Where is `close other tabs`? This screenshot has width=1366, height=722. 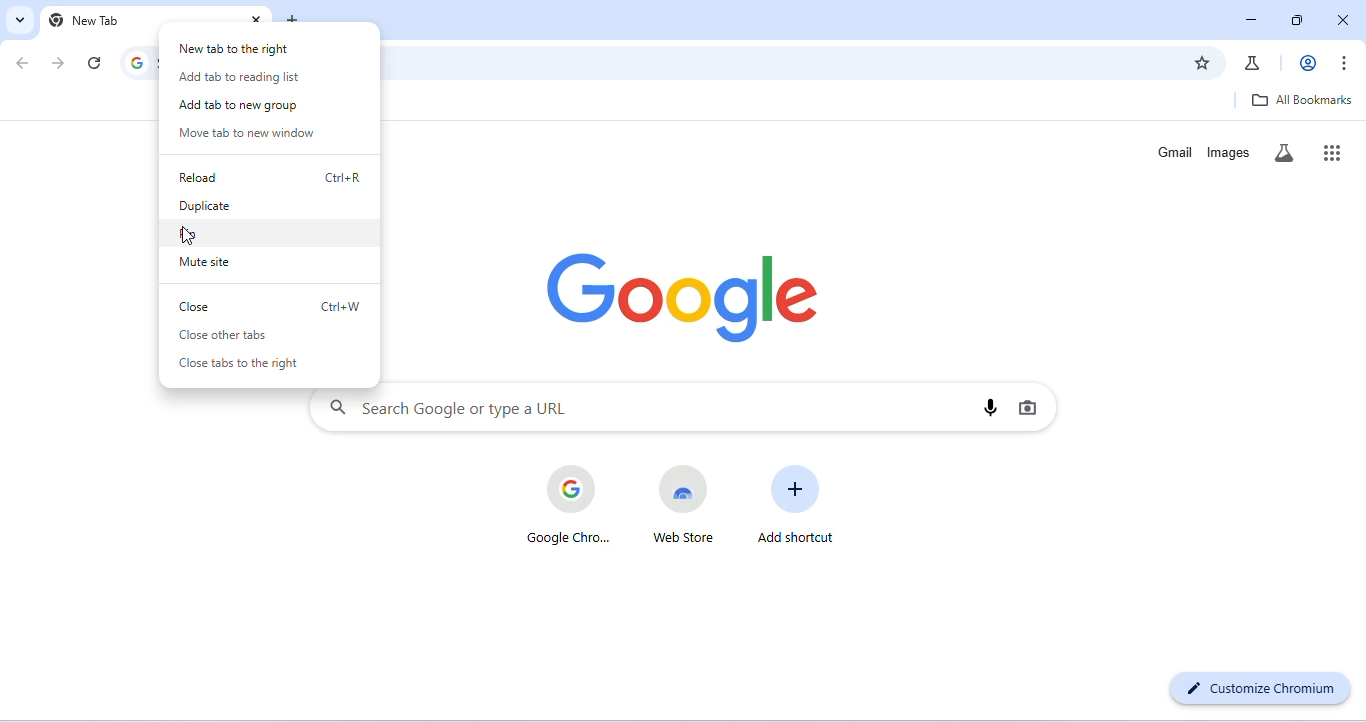
close other tabs is located at coordinates (250, 338).